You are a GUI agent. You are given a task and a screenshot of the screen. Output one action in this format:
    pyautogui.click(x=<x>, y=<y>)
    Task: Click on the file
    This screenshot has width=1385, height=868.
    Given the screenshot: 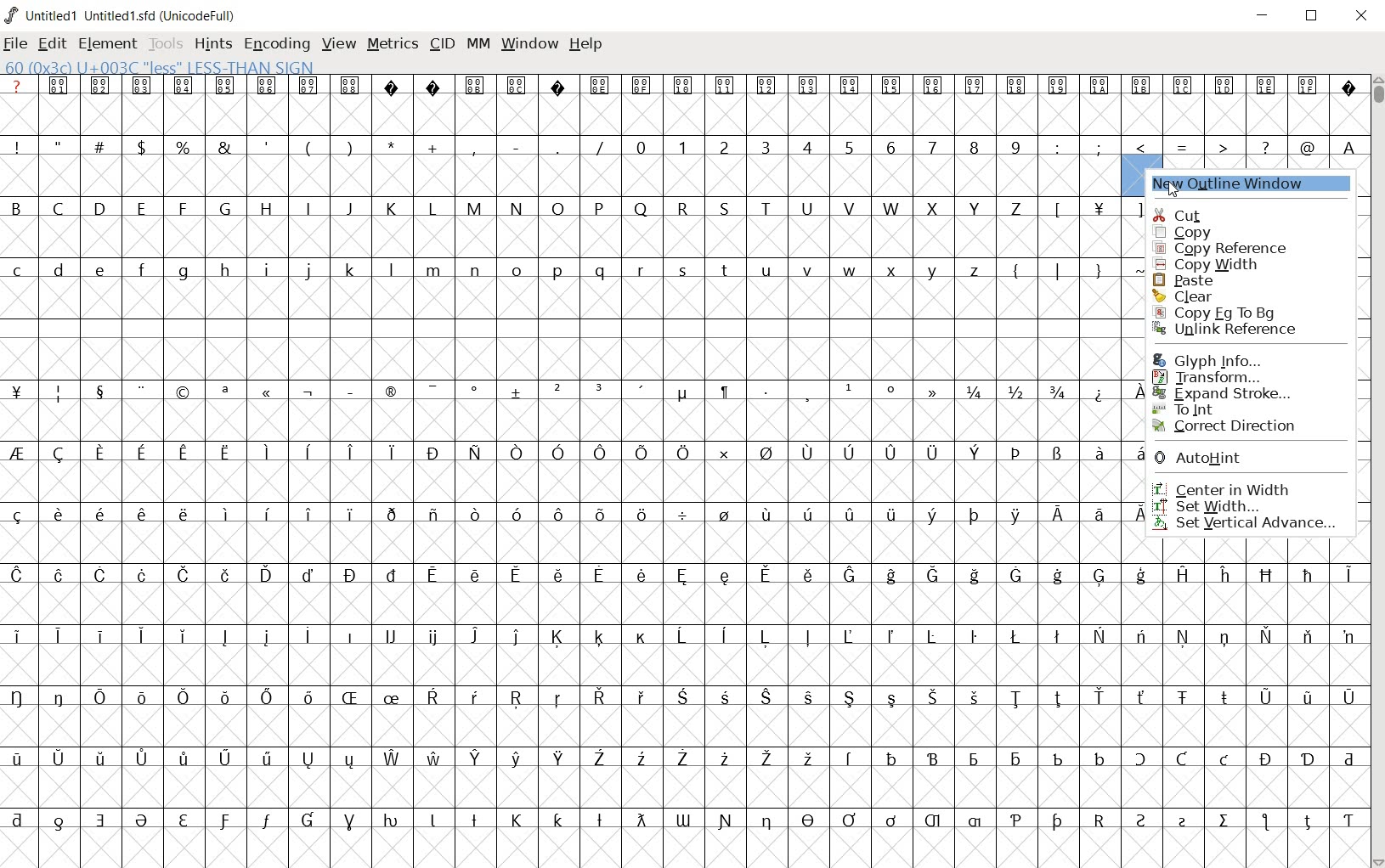 What is the action you would take?
    pyautogui.click(x=17, y=44)
    